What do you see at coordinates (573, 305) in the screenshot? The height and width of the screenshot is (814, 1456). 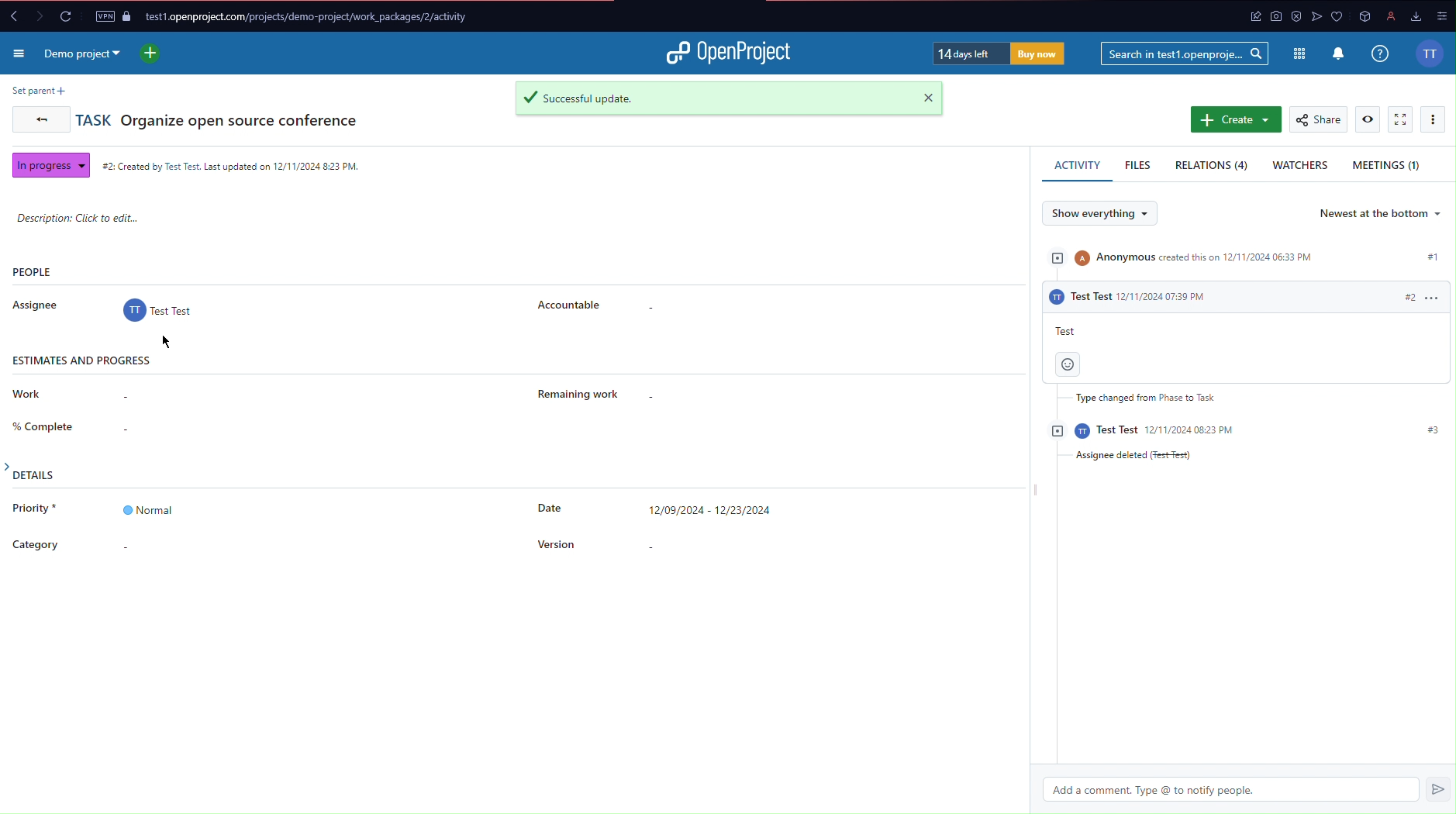 I see `Accountable` at bounding box center [573, 305].